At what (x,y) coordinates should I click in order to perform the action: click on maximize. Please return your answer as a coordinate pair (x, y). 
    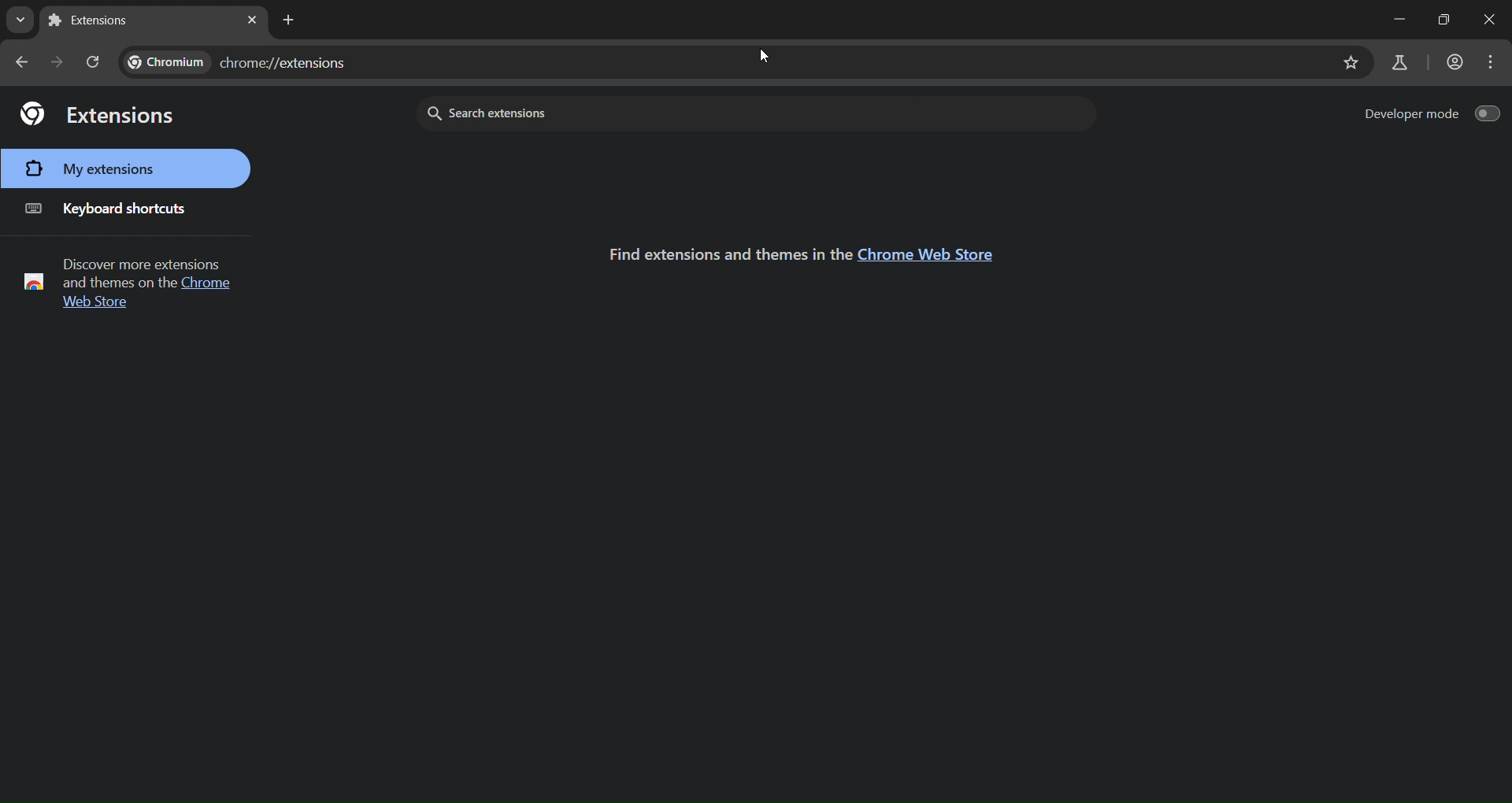
    Looking at the image, I should click on (1495, 17).